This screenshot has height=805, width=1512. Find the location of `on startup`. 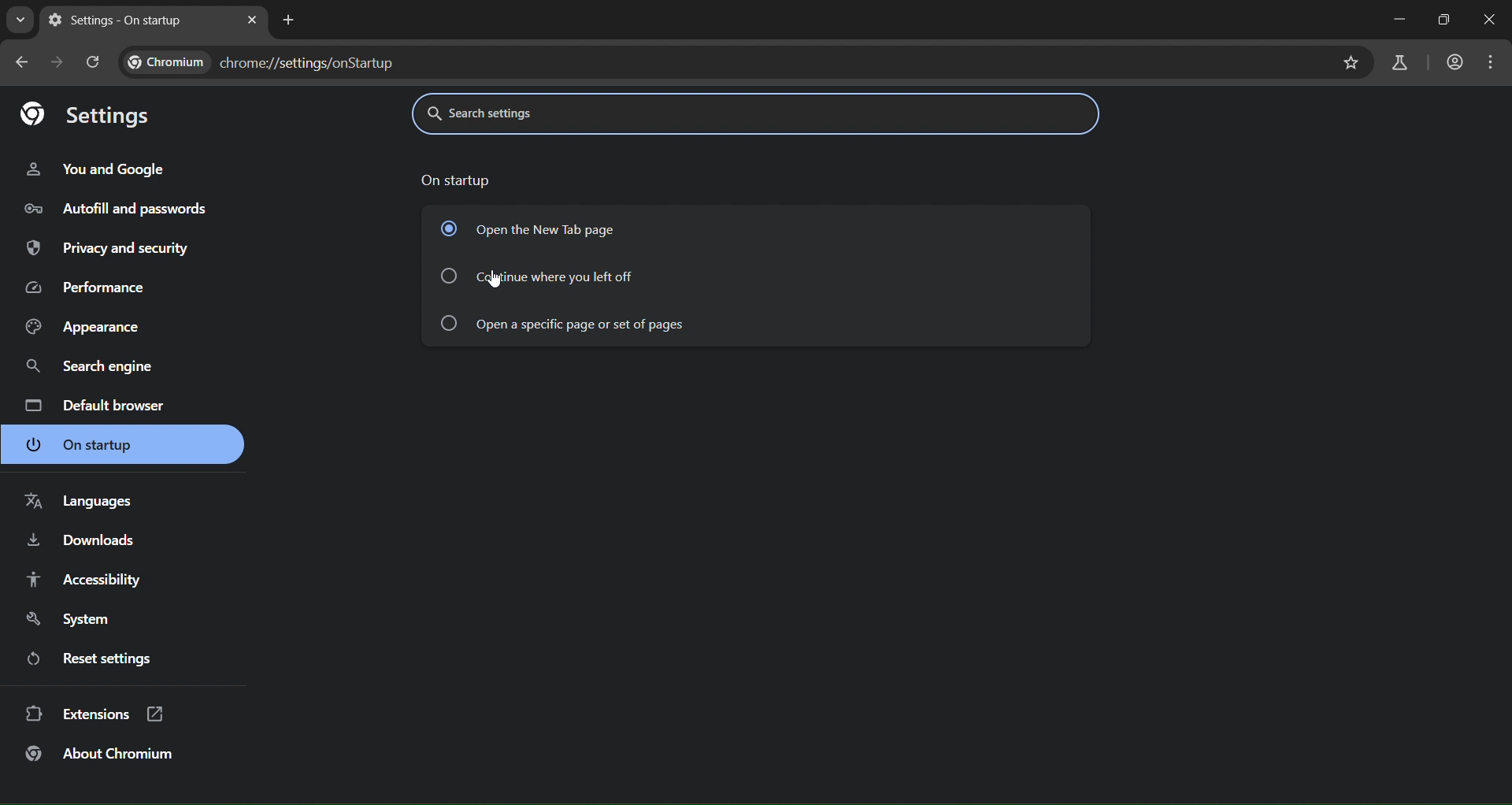

on startup is located at coordinates (87, 444).